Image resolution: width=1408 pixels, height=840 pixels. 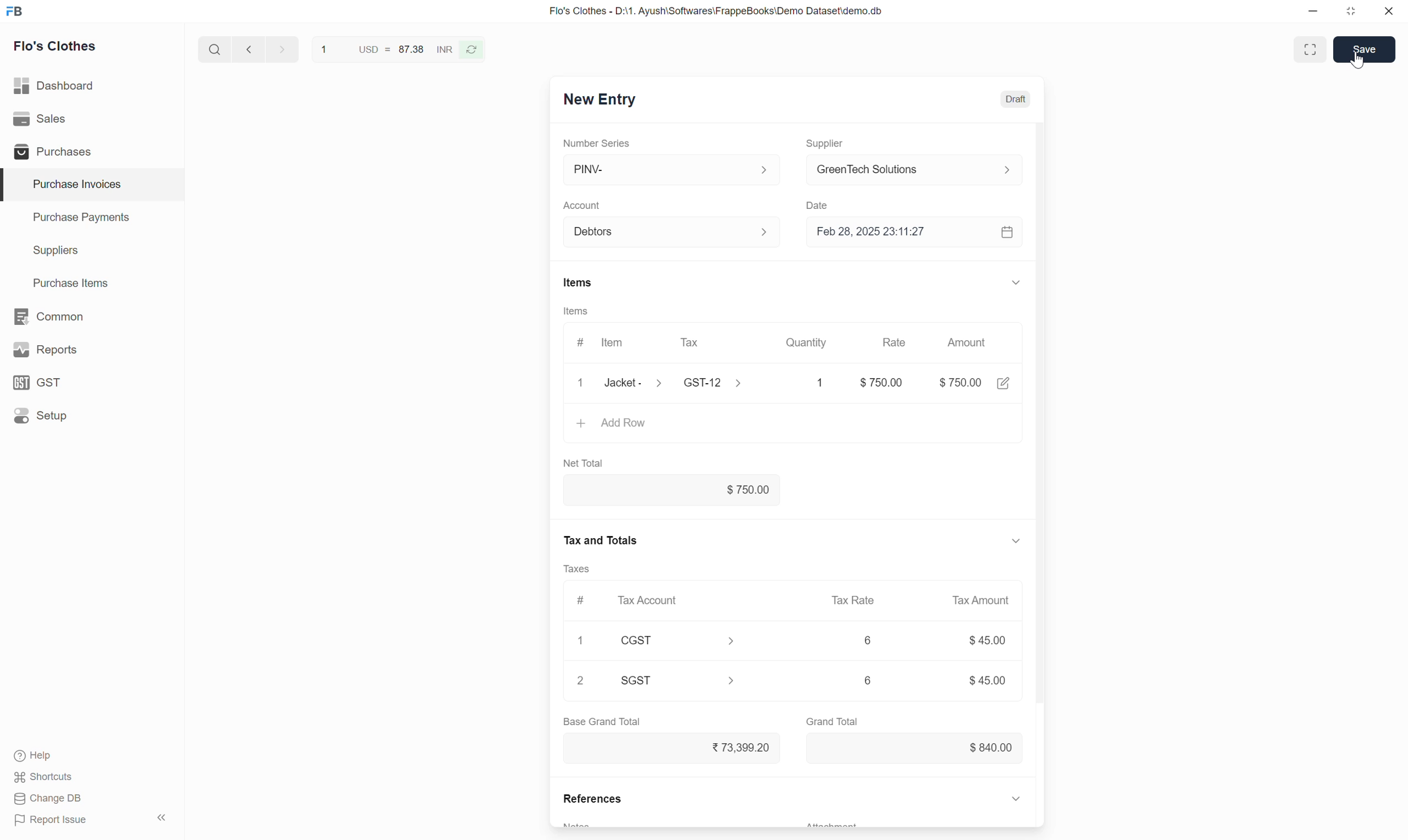 What do you see at coordinates (581, 383) in the screenshot?
I see `Close` at bounding box center [581, 383].